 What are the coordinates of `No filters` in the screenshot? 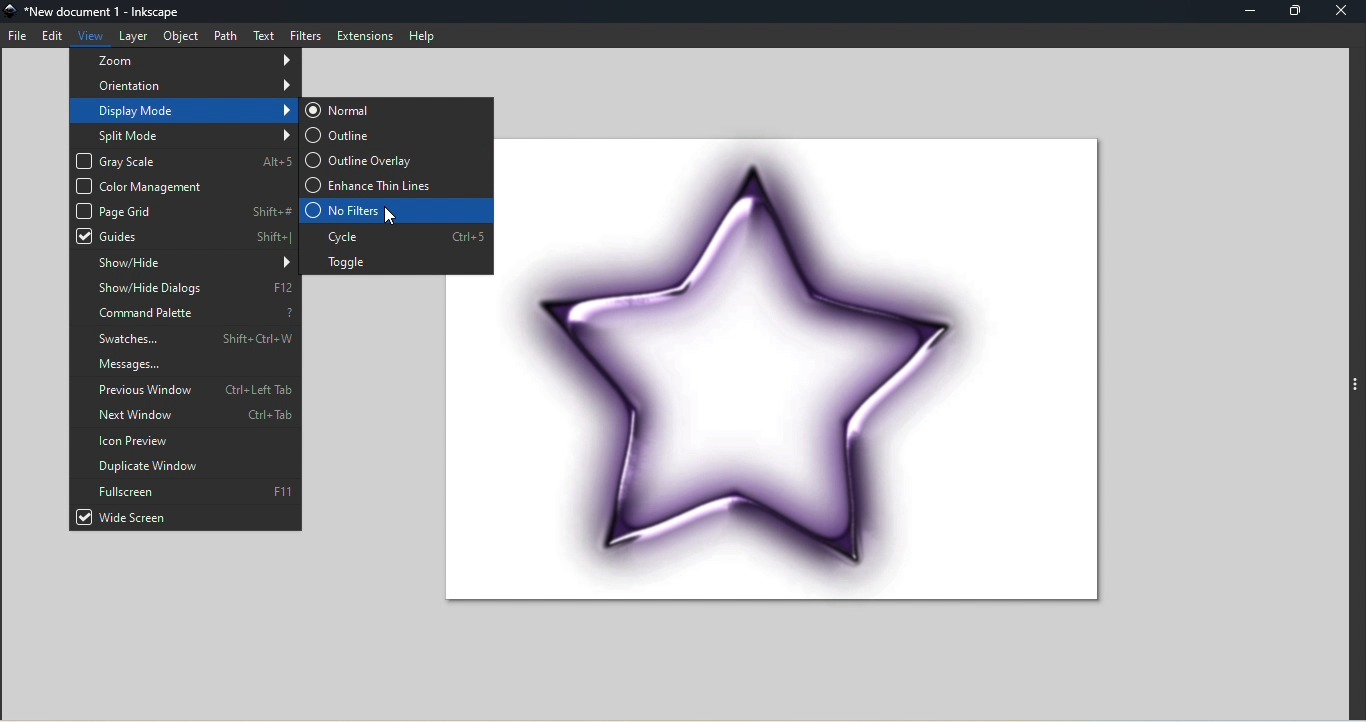 It's located at (396, 210).